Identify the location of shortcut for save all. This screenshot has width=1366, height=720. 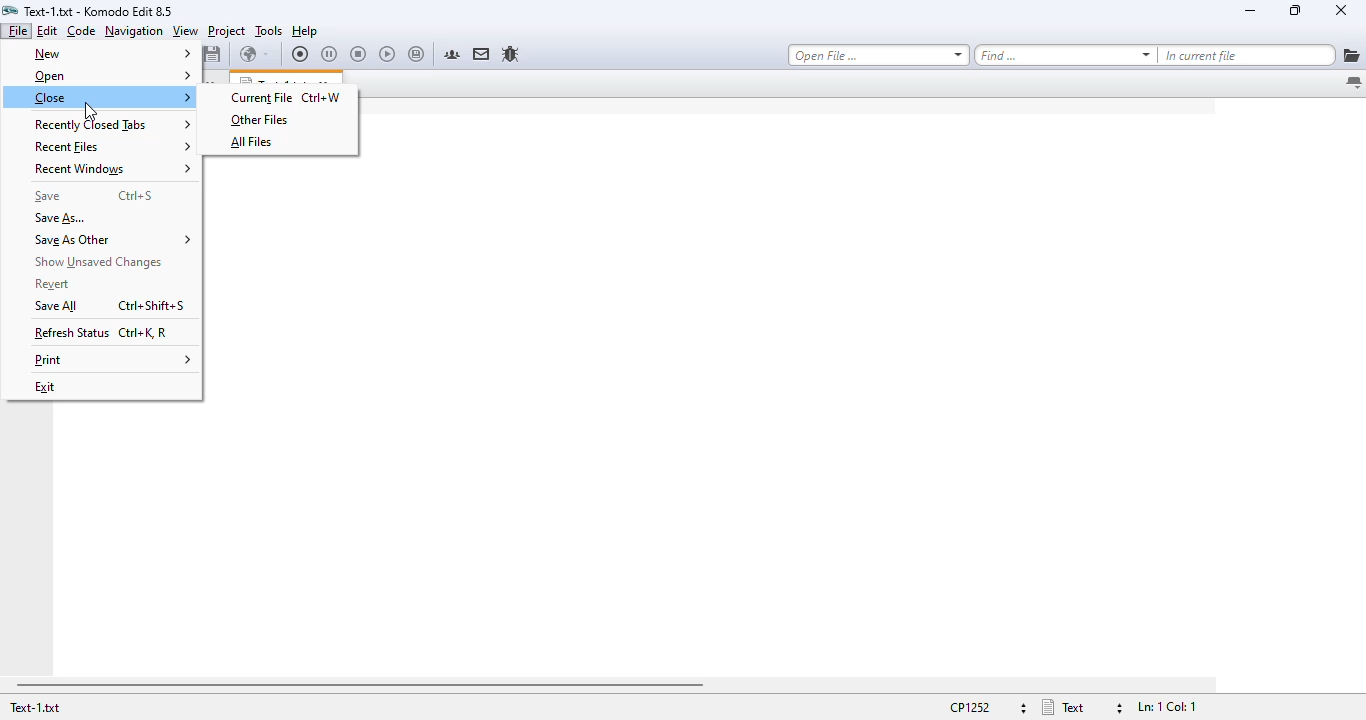
(154, 306).